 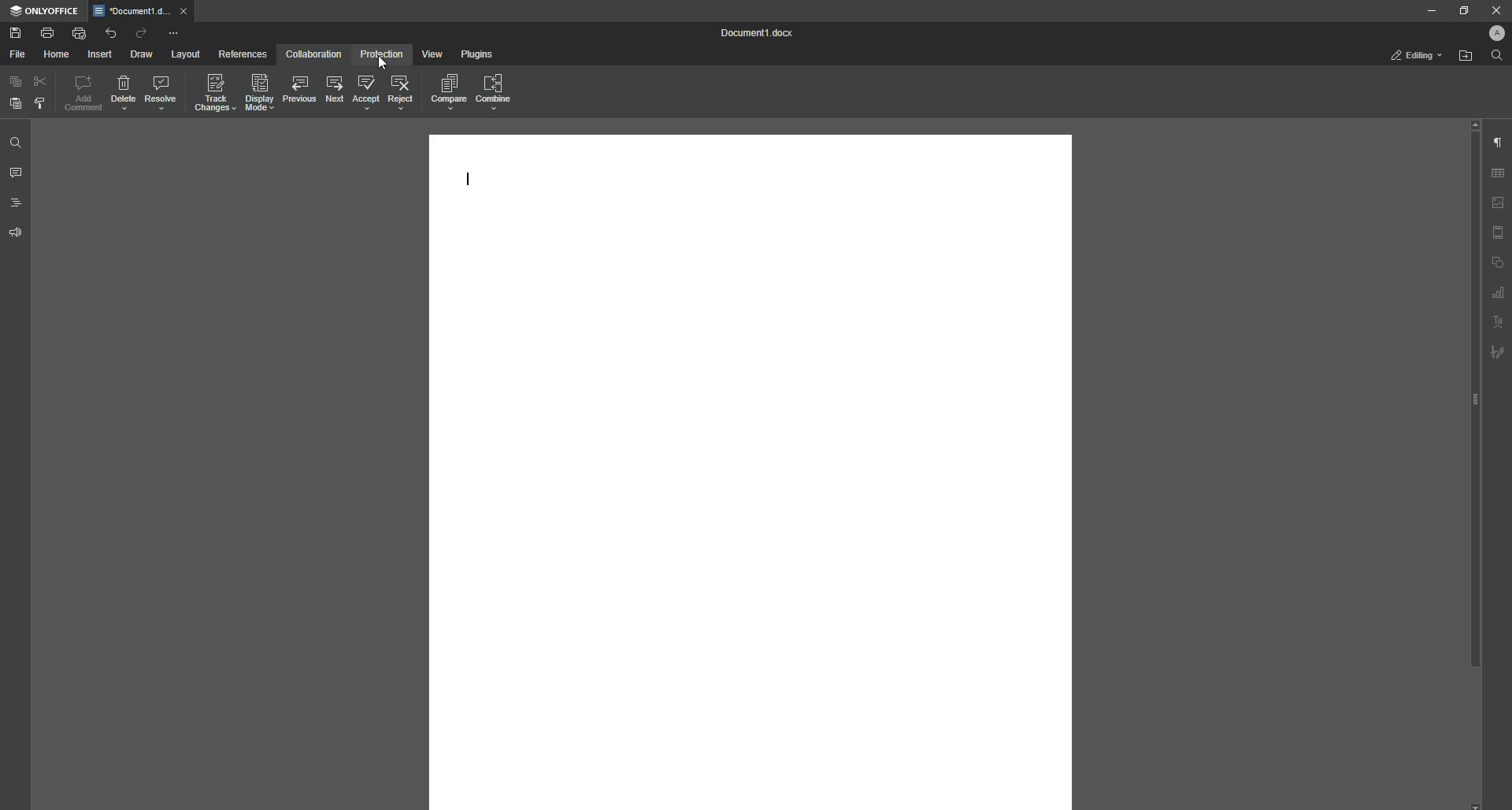 What do you see at coordinates (760, 33) in the screenshot?
I see `Document 1` at bounding box center [760, 33].